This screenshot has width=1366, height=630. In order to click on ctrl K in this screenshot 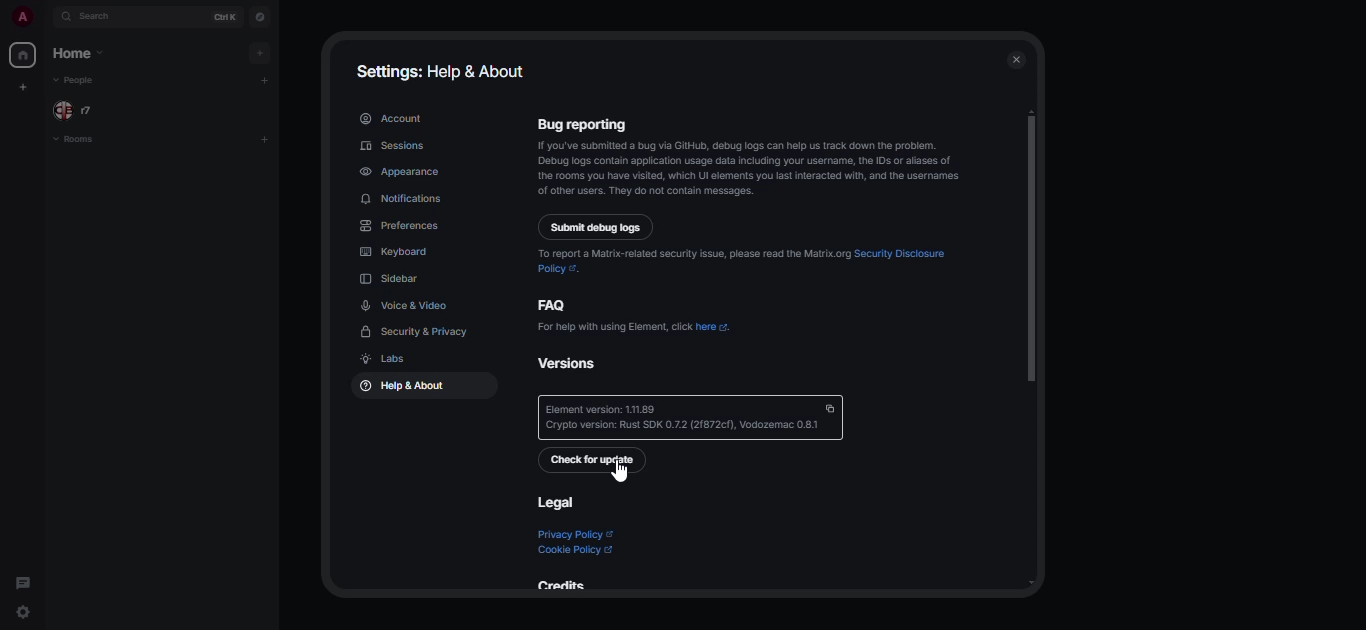, I will do `click(225, 14)`.